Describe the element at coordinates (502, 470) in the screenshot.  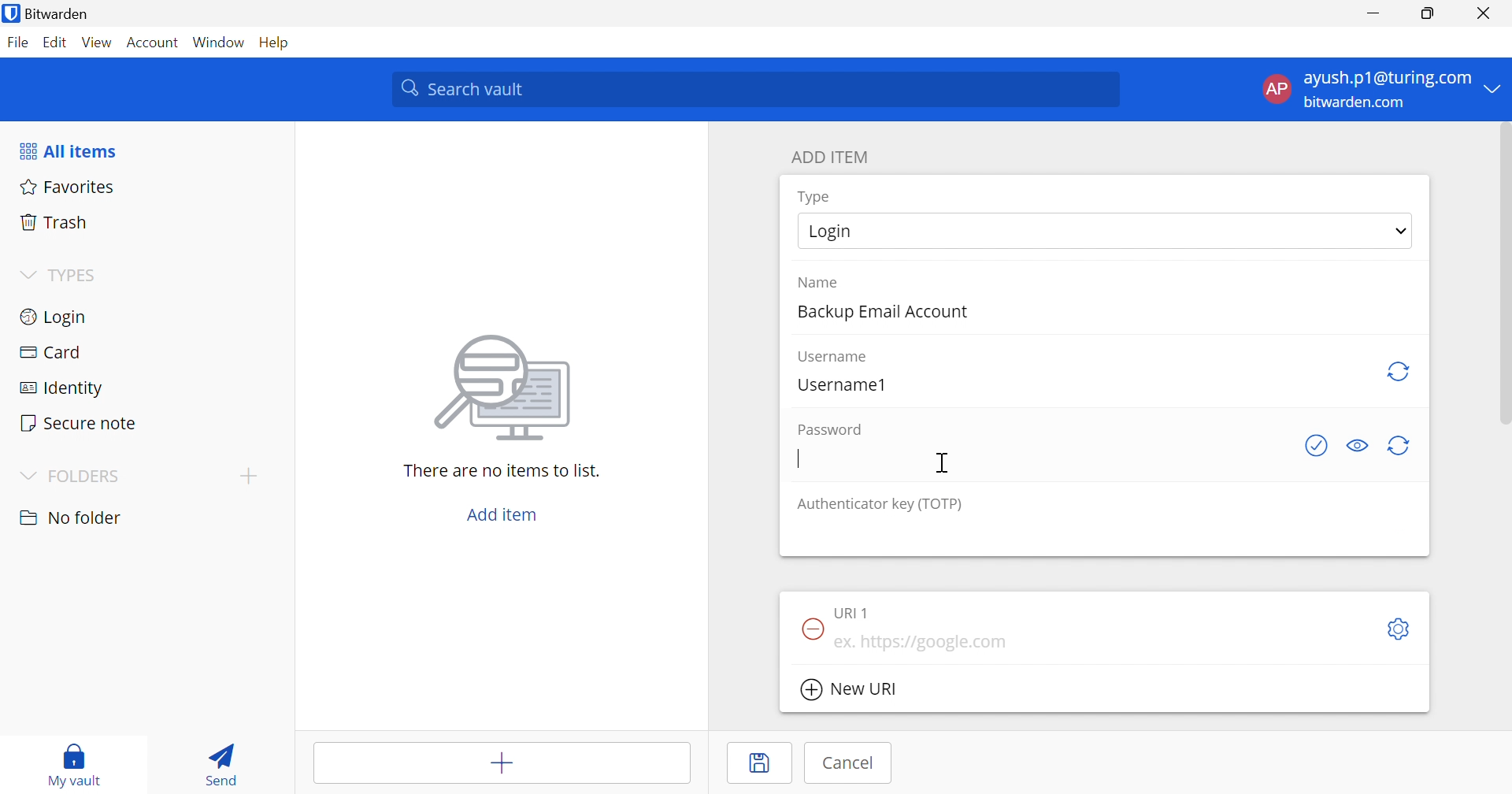
I see `There are no items to list.` at that location.